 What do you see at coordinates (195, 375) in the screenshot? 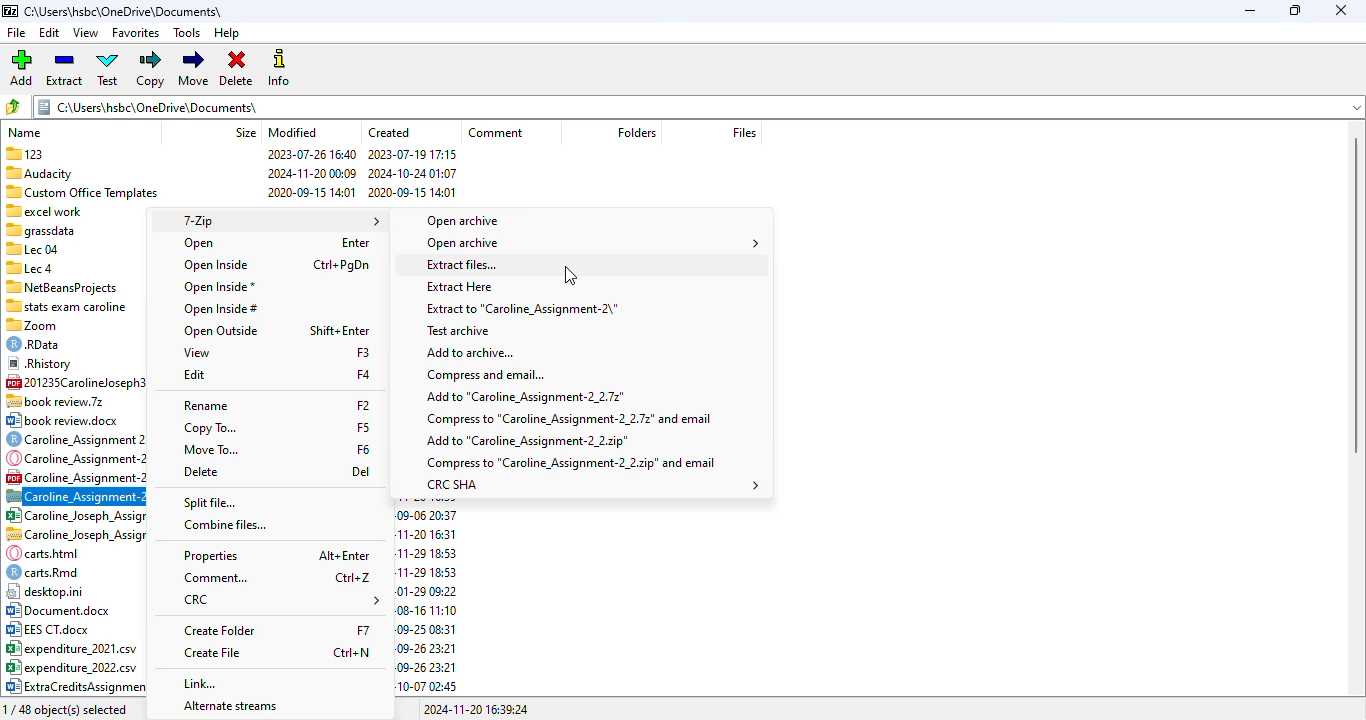
I see `edit` at bounding box center [195, 375].